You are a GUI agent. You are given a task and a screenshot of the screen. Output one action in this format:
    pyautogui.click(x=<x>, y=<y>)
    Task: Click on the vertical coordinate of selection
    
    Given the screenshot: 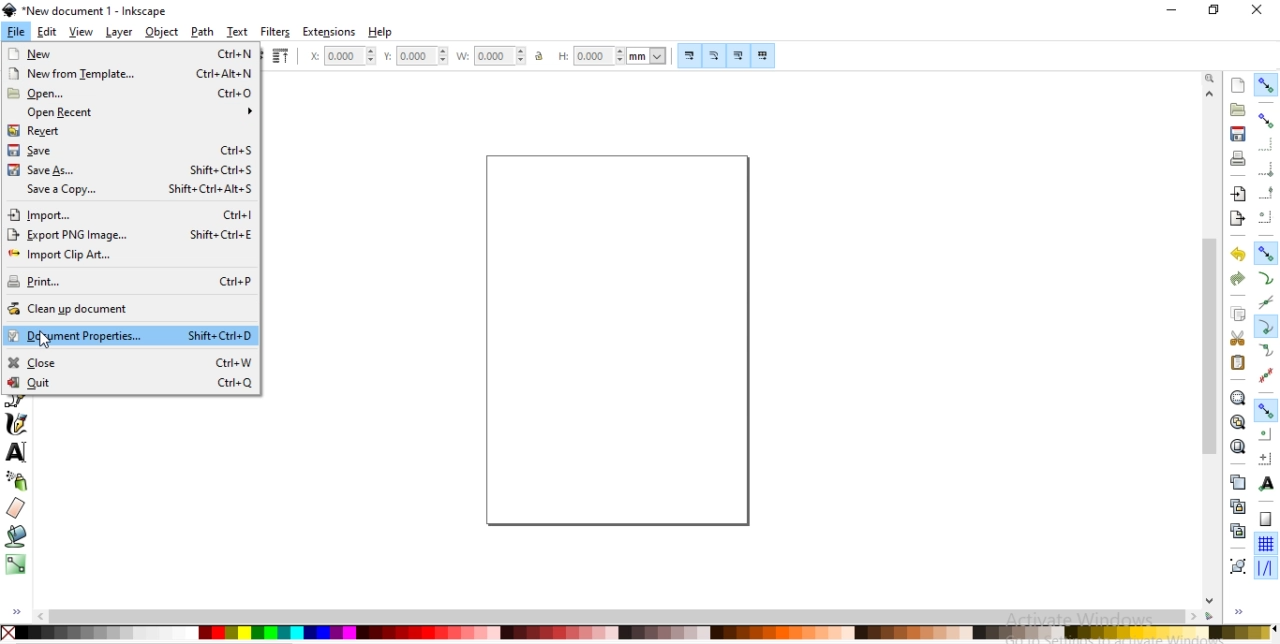 What is the action you would take?
    pyautogui.click(x=418, y=56)
    